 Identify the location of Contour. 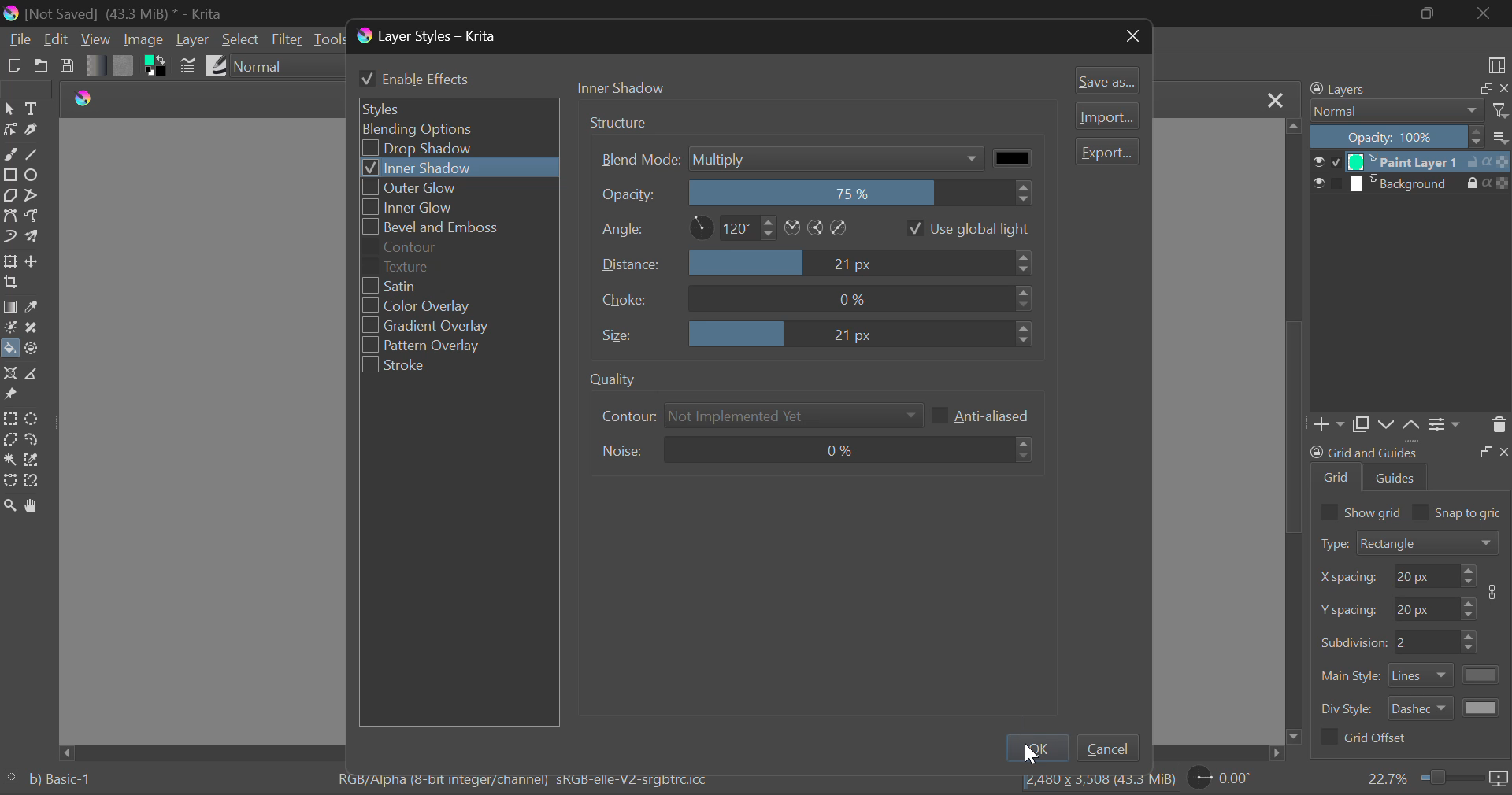
(454, 247).